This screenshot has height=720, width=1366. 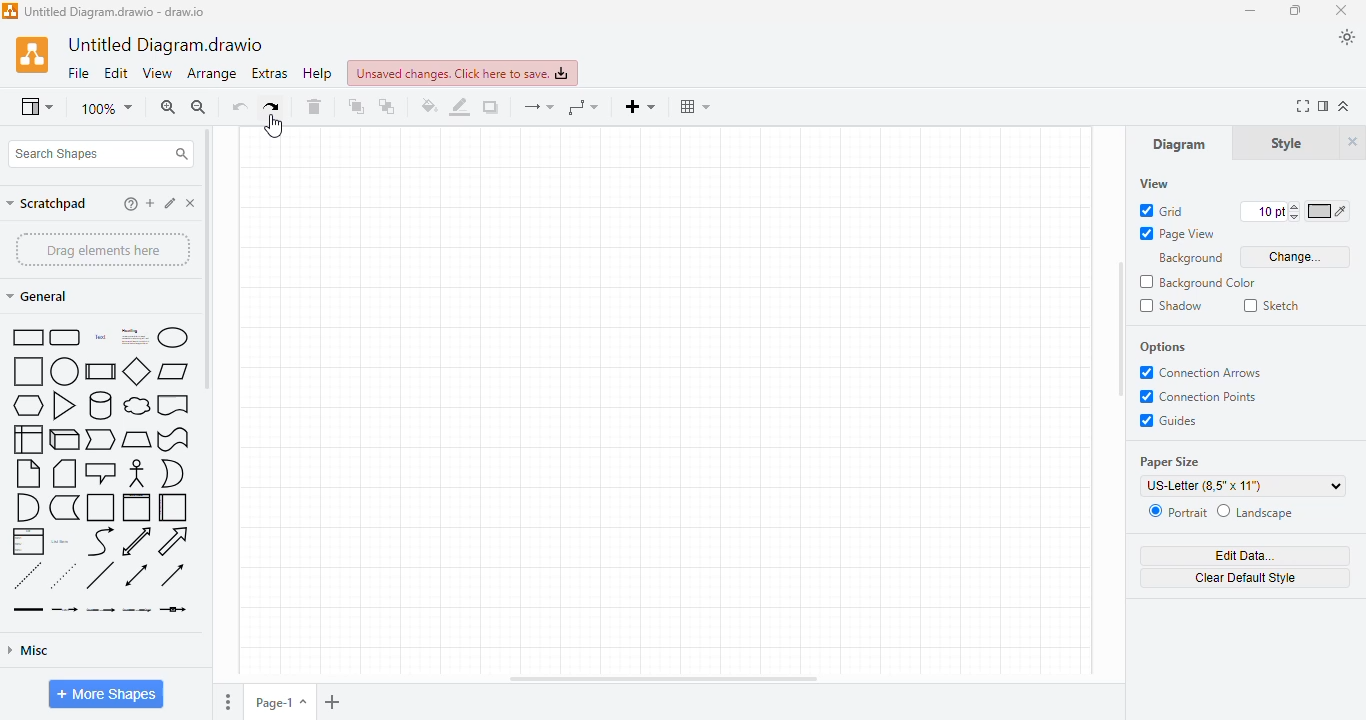 What do you see at coordinates (173, 372) in the screenshot?
I see `parallelogram` at bounding box center [173, 372].